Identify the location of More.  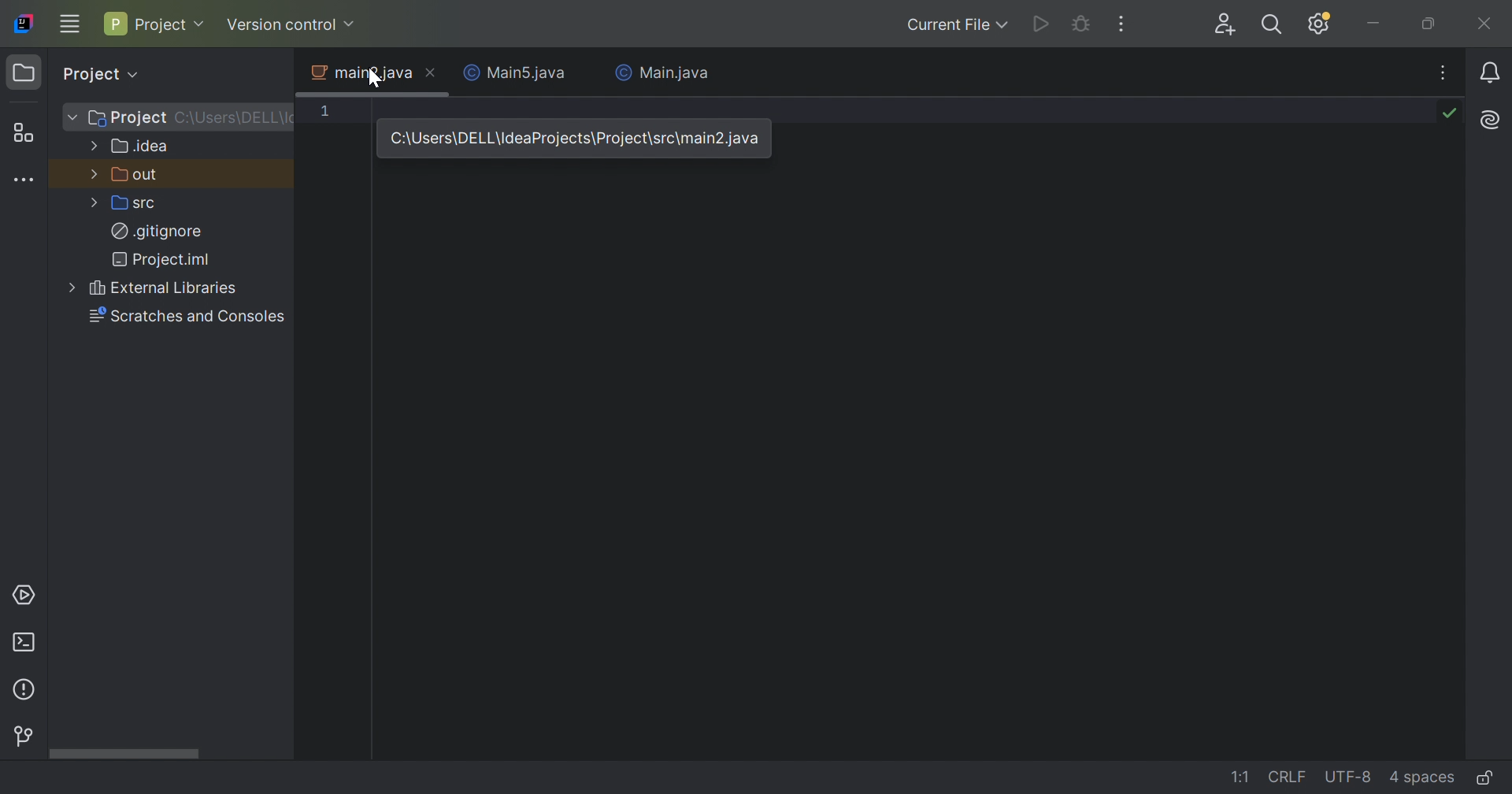
(95, 204).